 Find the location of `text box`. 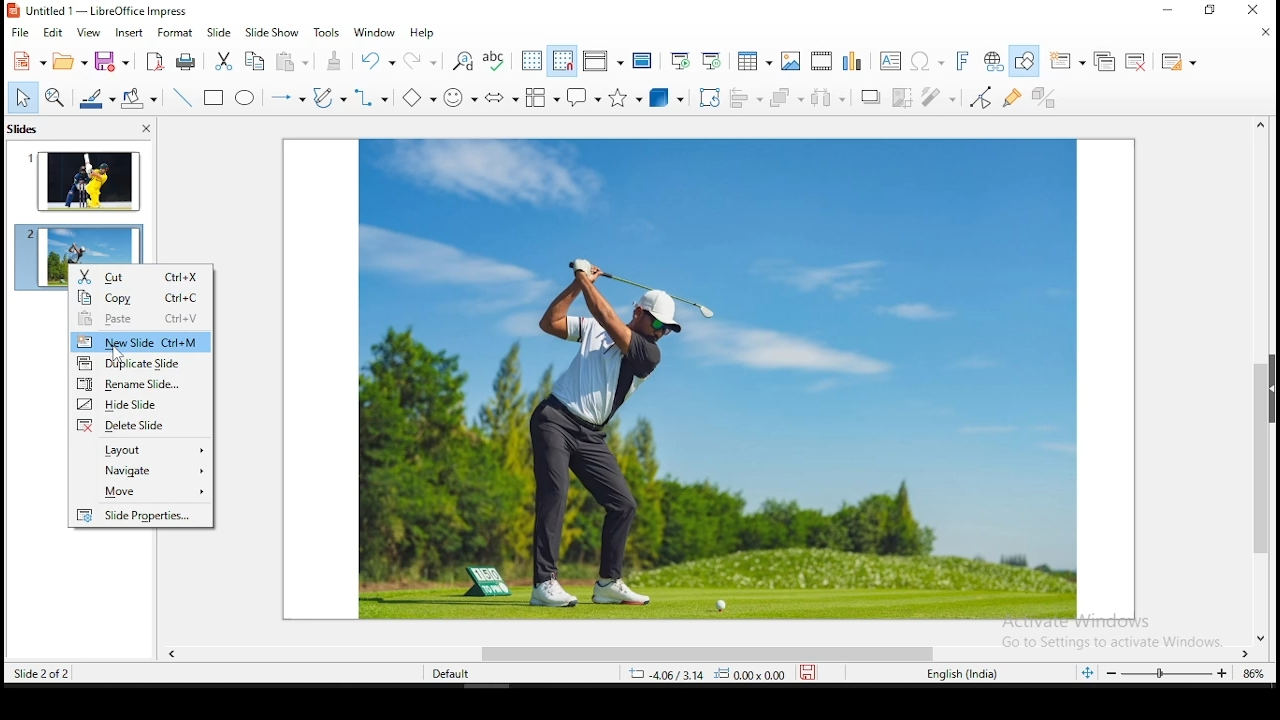

text box is located at coordinates (888, 60).